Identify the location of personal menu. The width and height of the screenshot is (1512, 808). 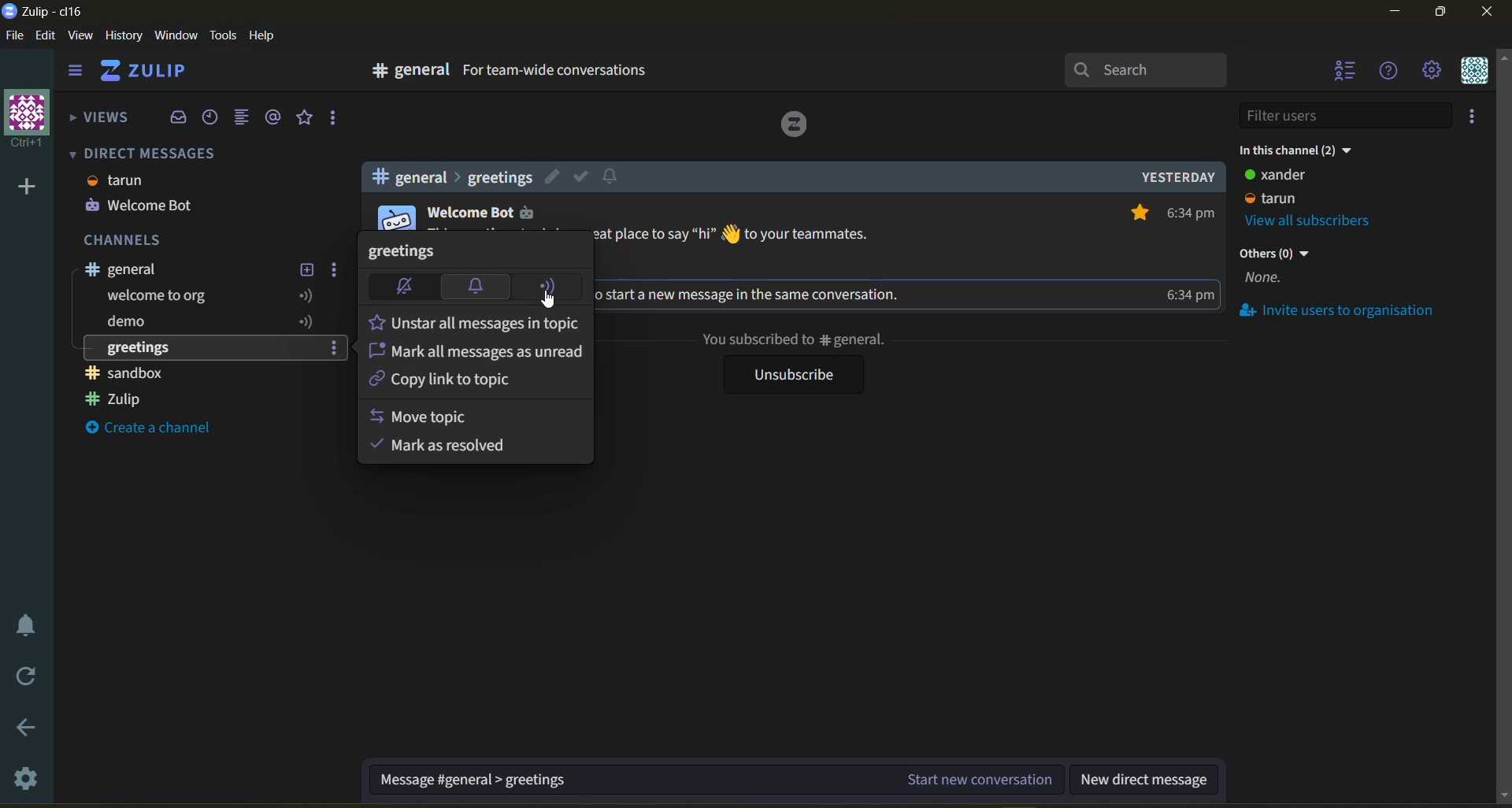
(1479, 72).